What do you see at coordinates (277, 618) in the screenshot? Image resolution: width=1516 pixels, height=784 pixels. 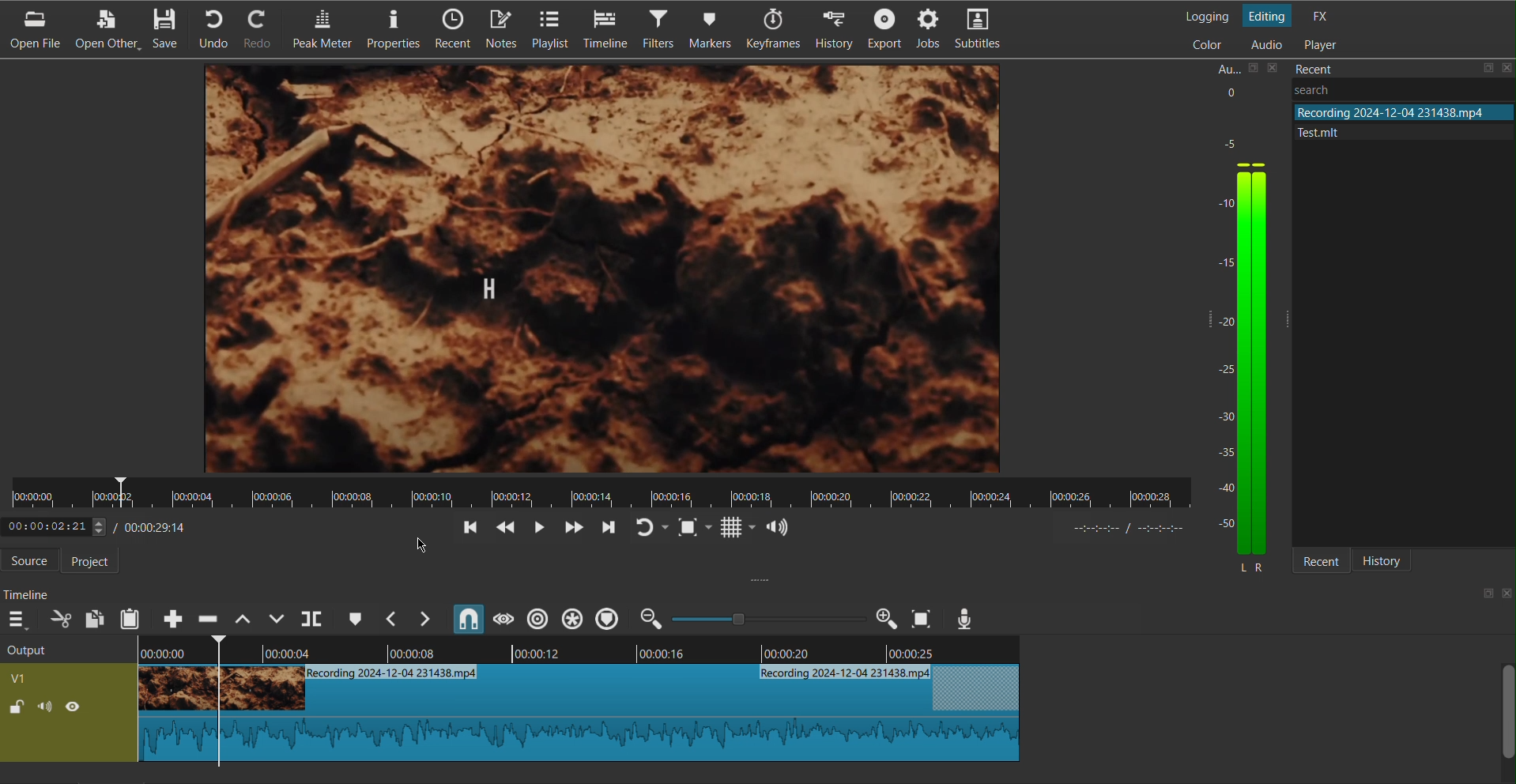 I see `Overwrite` at bounding box center [277, 618].